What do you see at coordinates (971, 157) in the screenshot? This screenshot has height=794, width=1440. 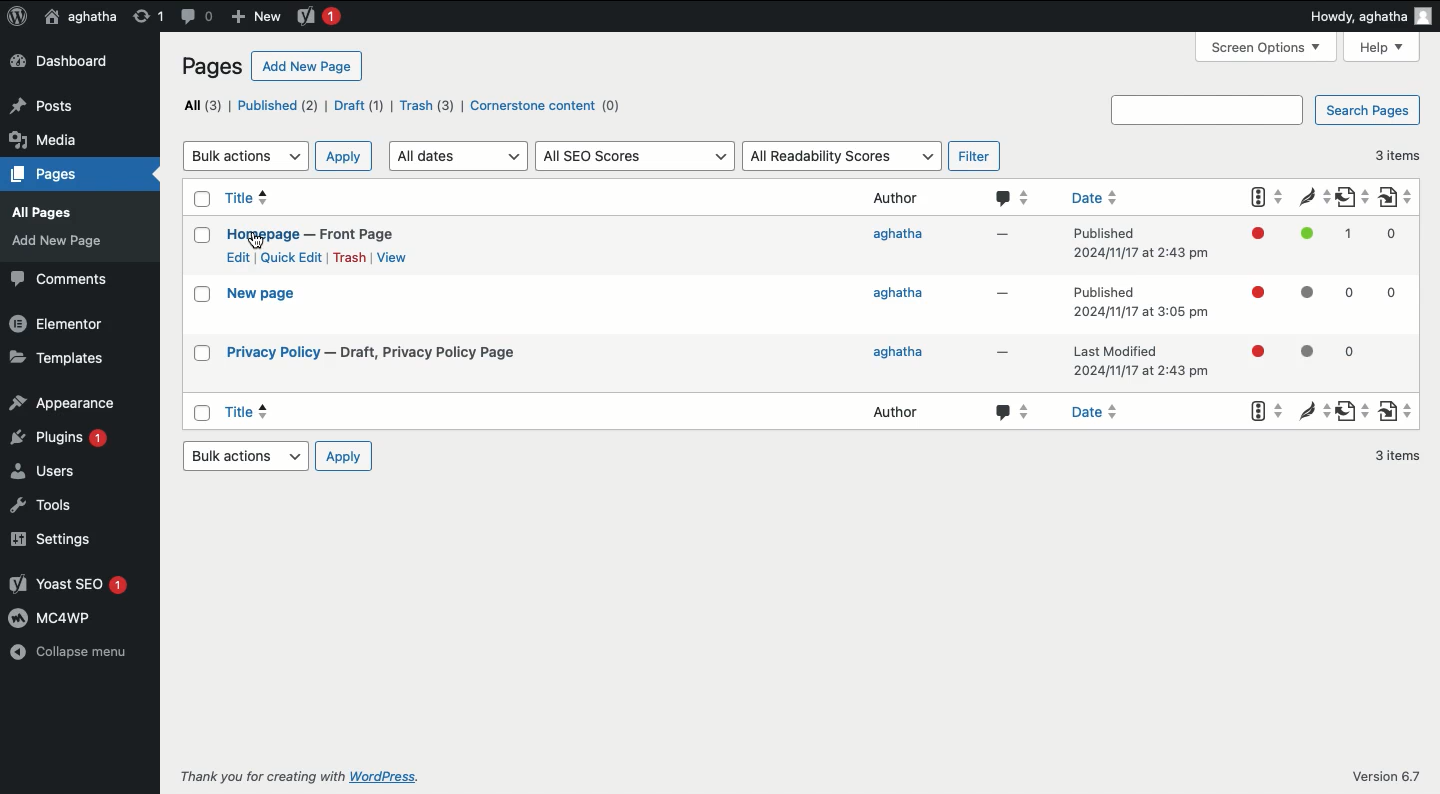 I see `Filter` at bounding box center [971, 157].